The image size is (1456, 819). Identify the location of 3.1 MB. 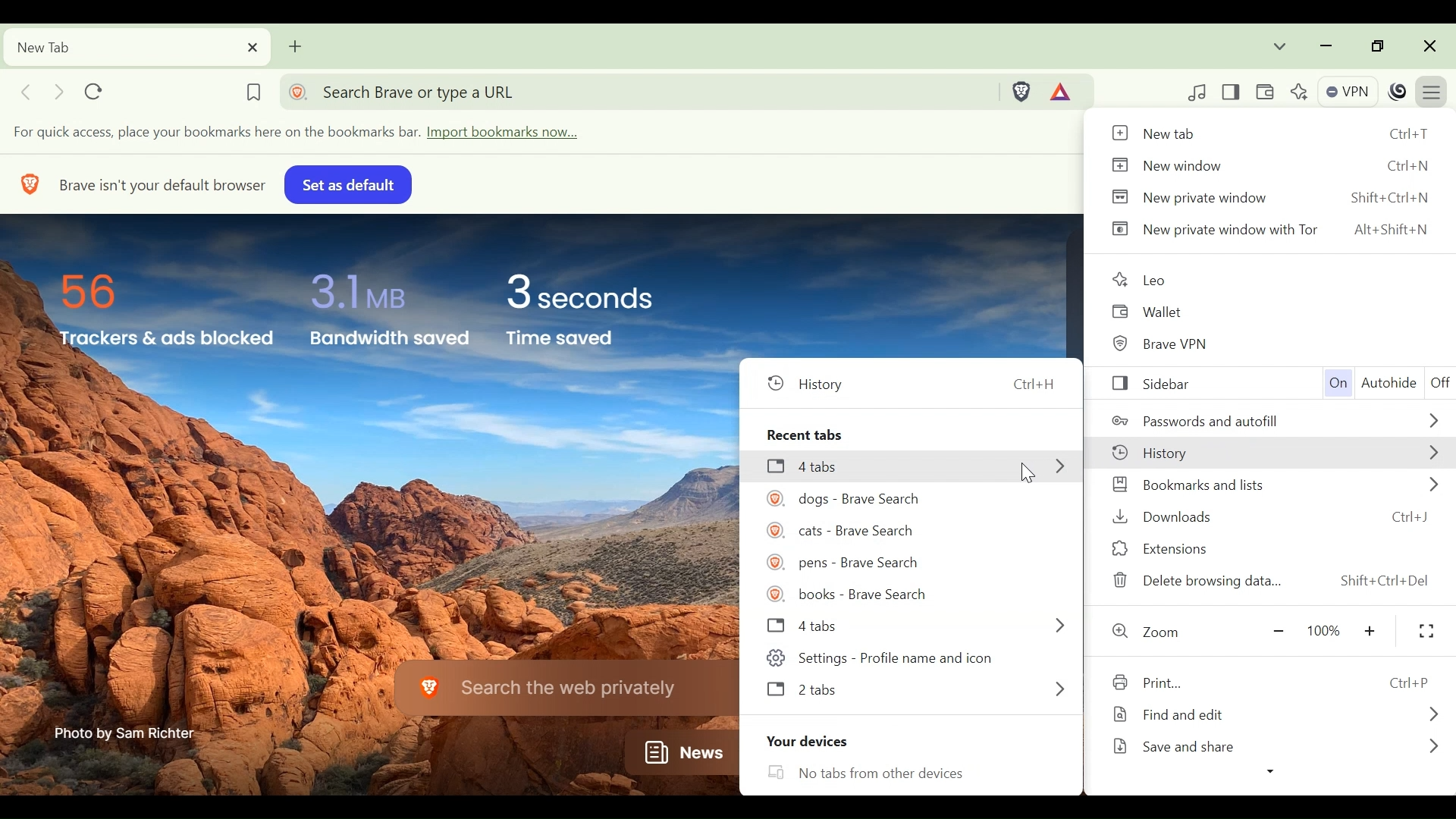
(356, 287).